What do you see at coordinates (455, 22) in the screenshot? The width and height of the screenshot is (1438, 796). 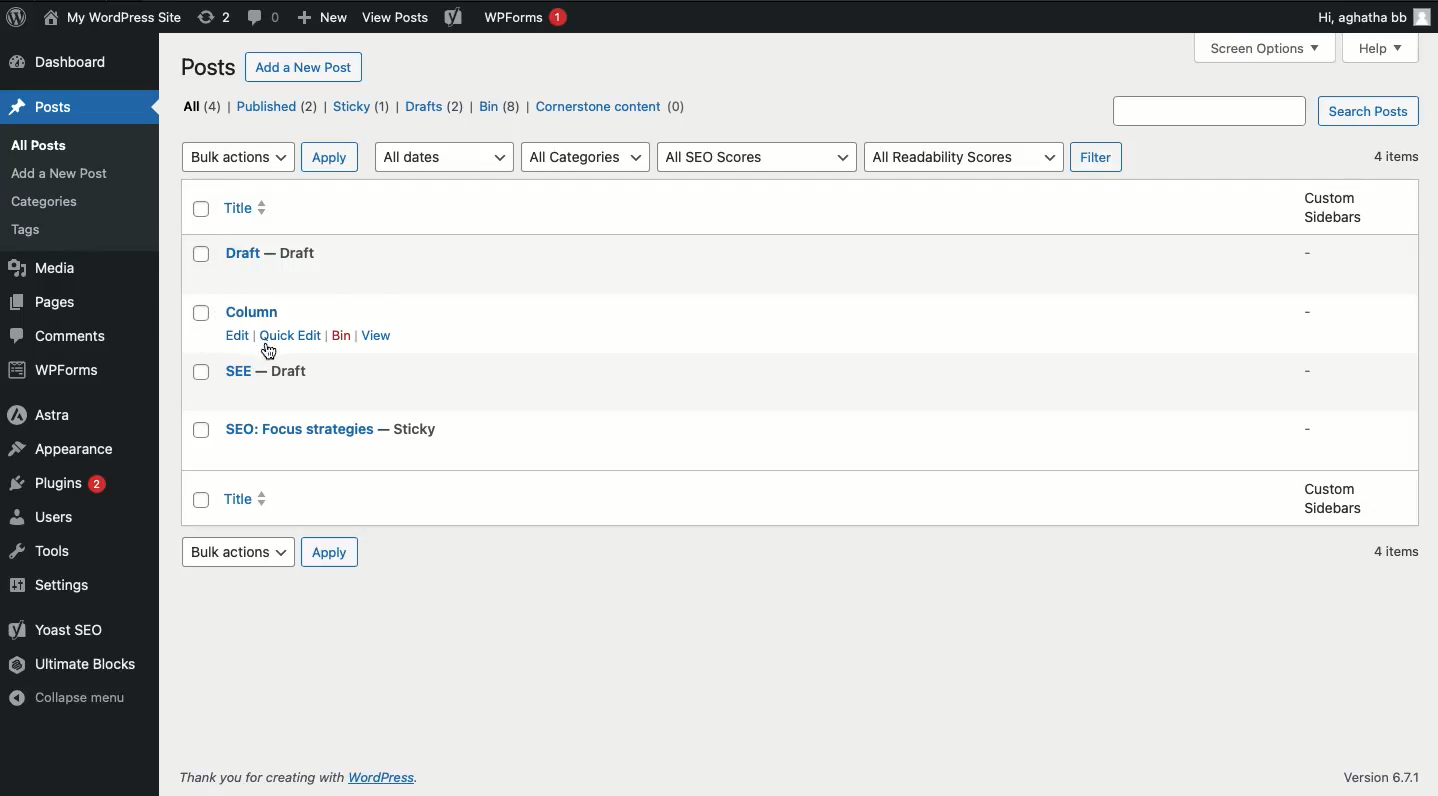 I see `Yoast` at bounding box center [455, 22].